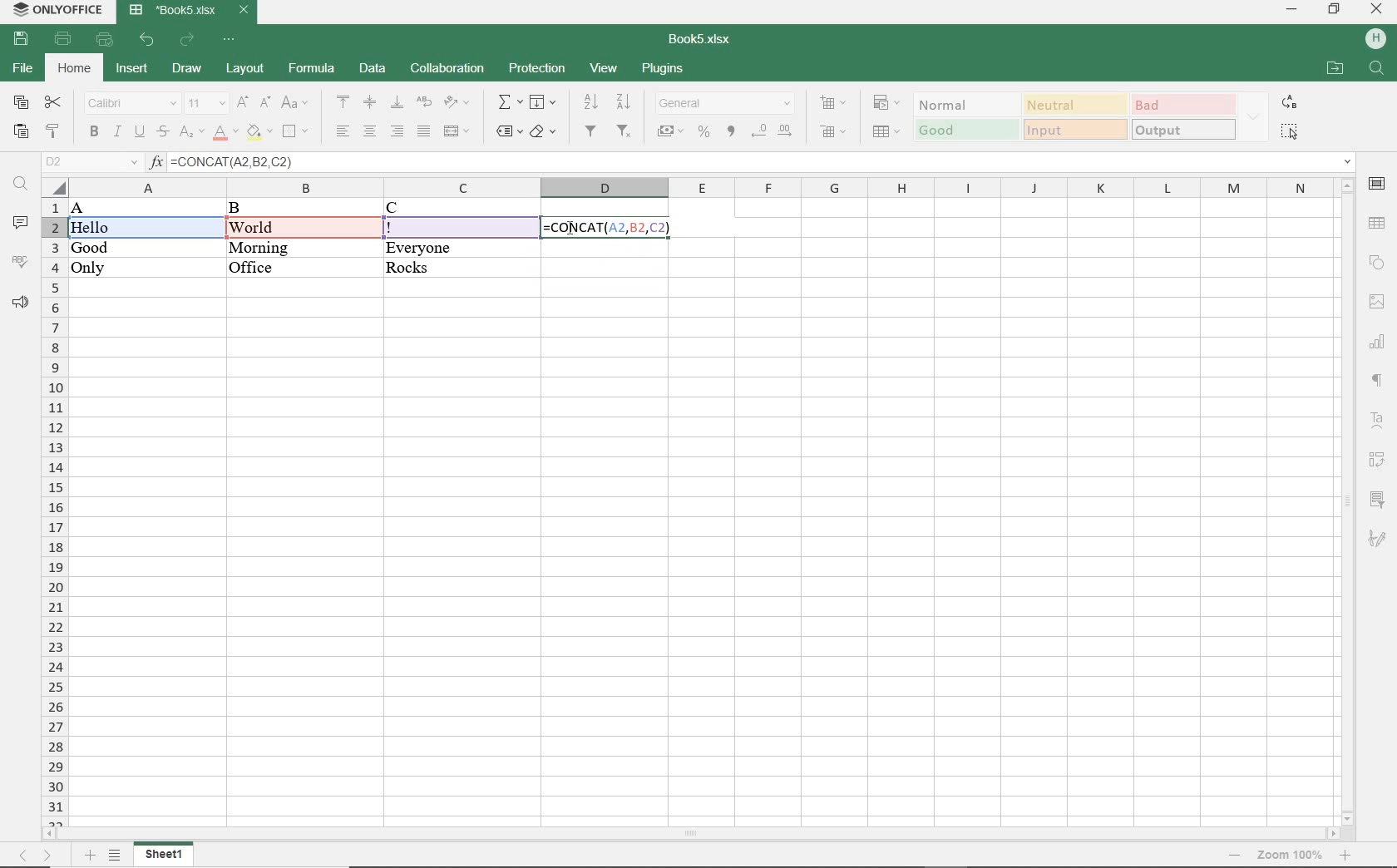 This screenshot has width=1397, height=868. I want to click on PARAGRAPH SETTINGS, so click(1377, 382).